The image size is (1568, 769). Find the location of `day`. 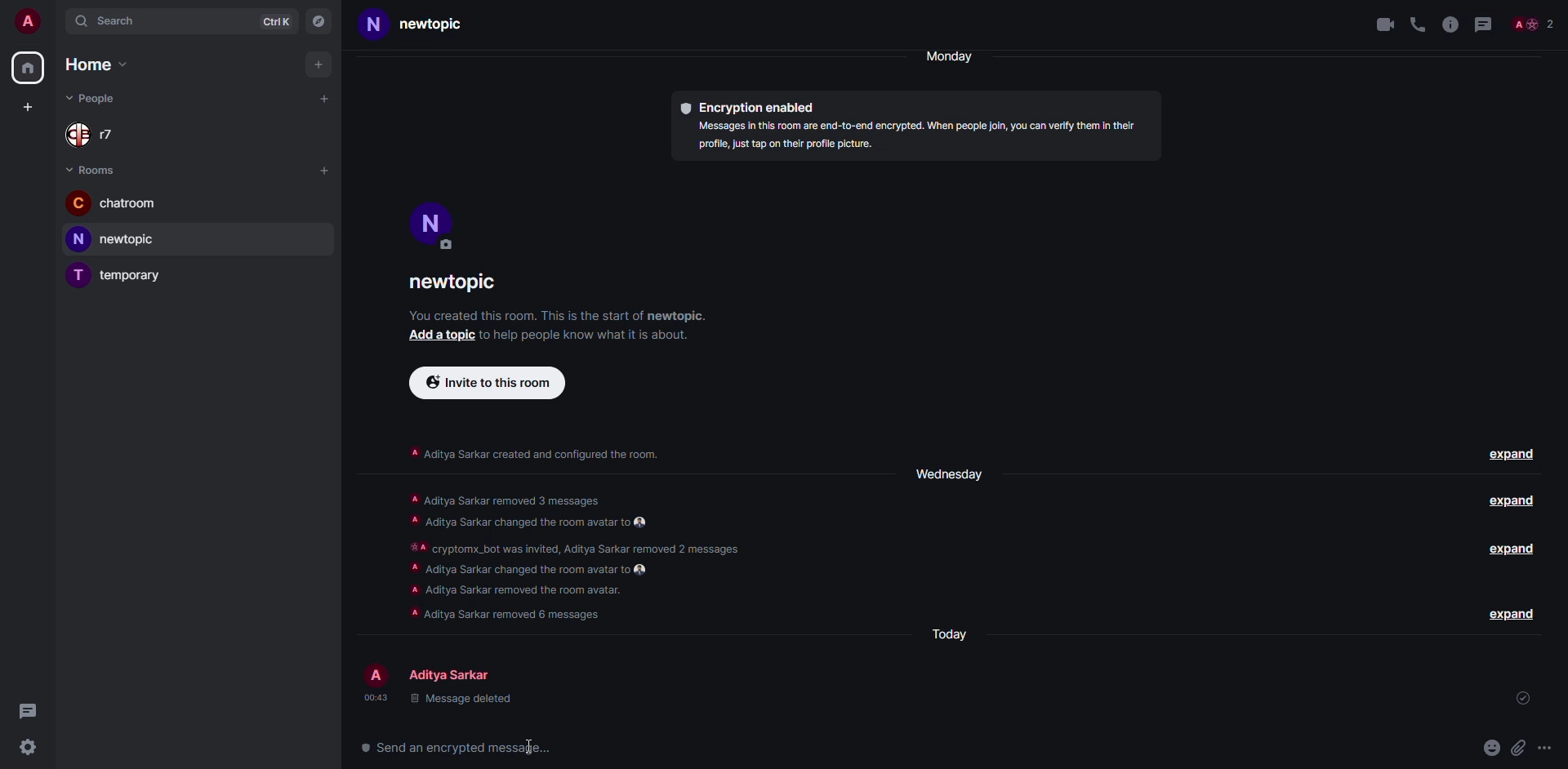

day is located at coordinates (946, 473).